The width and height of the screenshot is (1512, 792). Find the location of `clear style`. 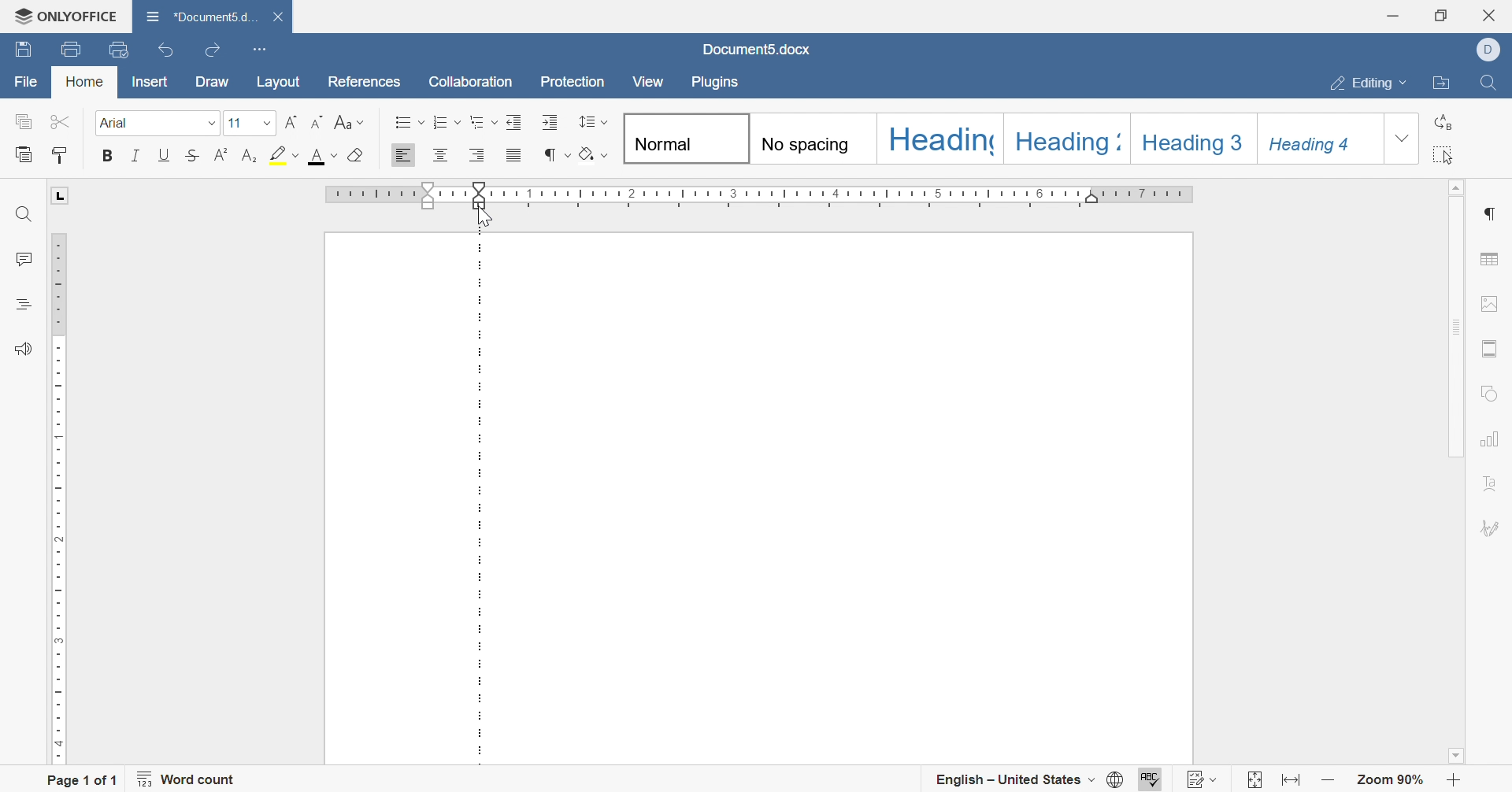

clear style is located at coordinates (358, 154).